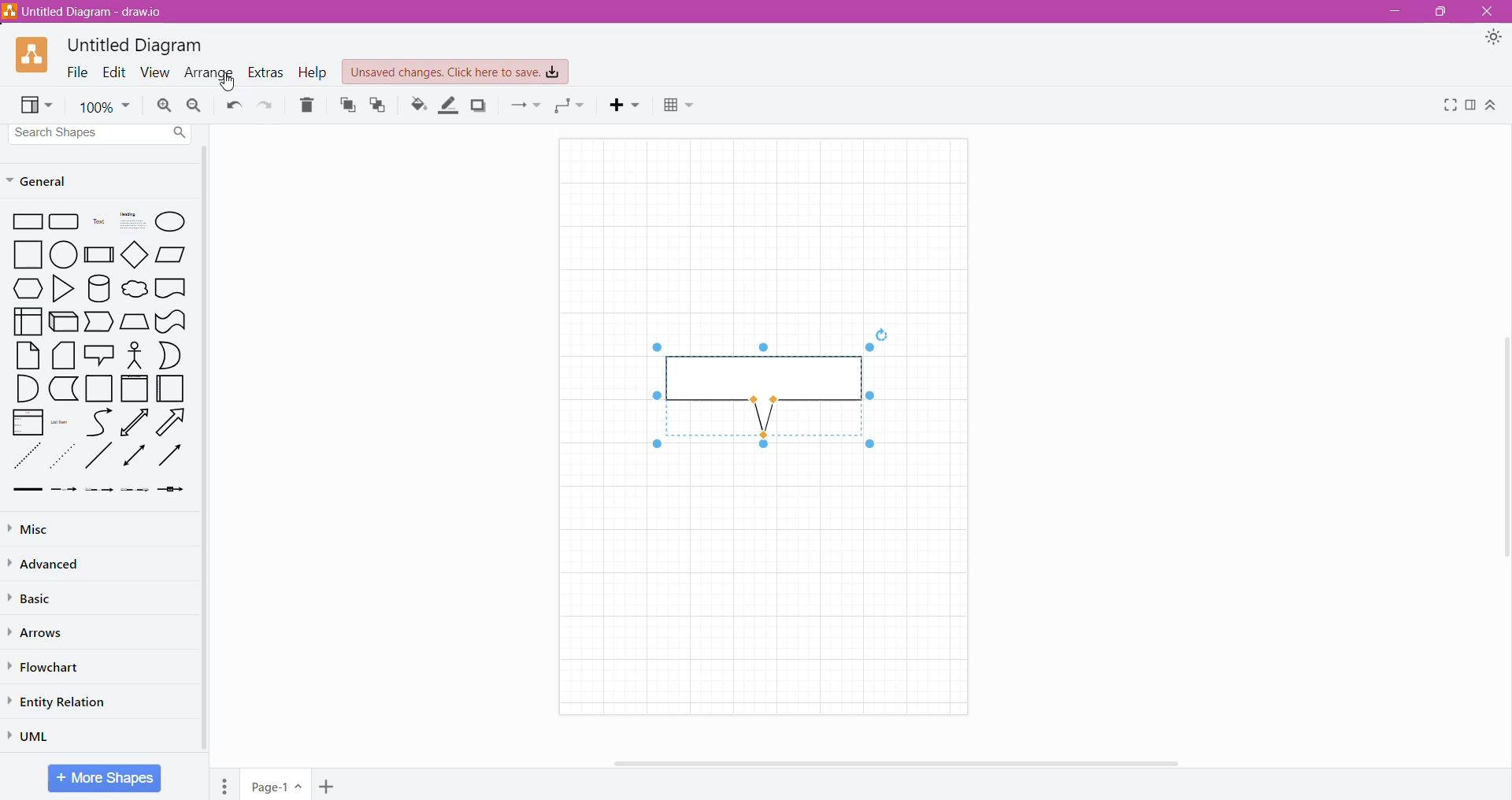  What do you see at coordinates (267, 73) in the screenshot?
I see `Extras` at bounding box center [267, 73].